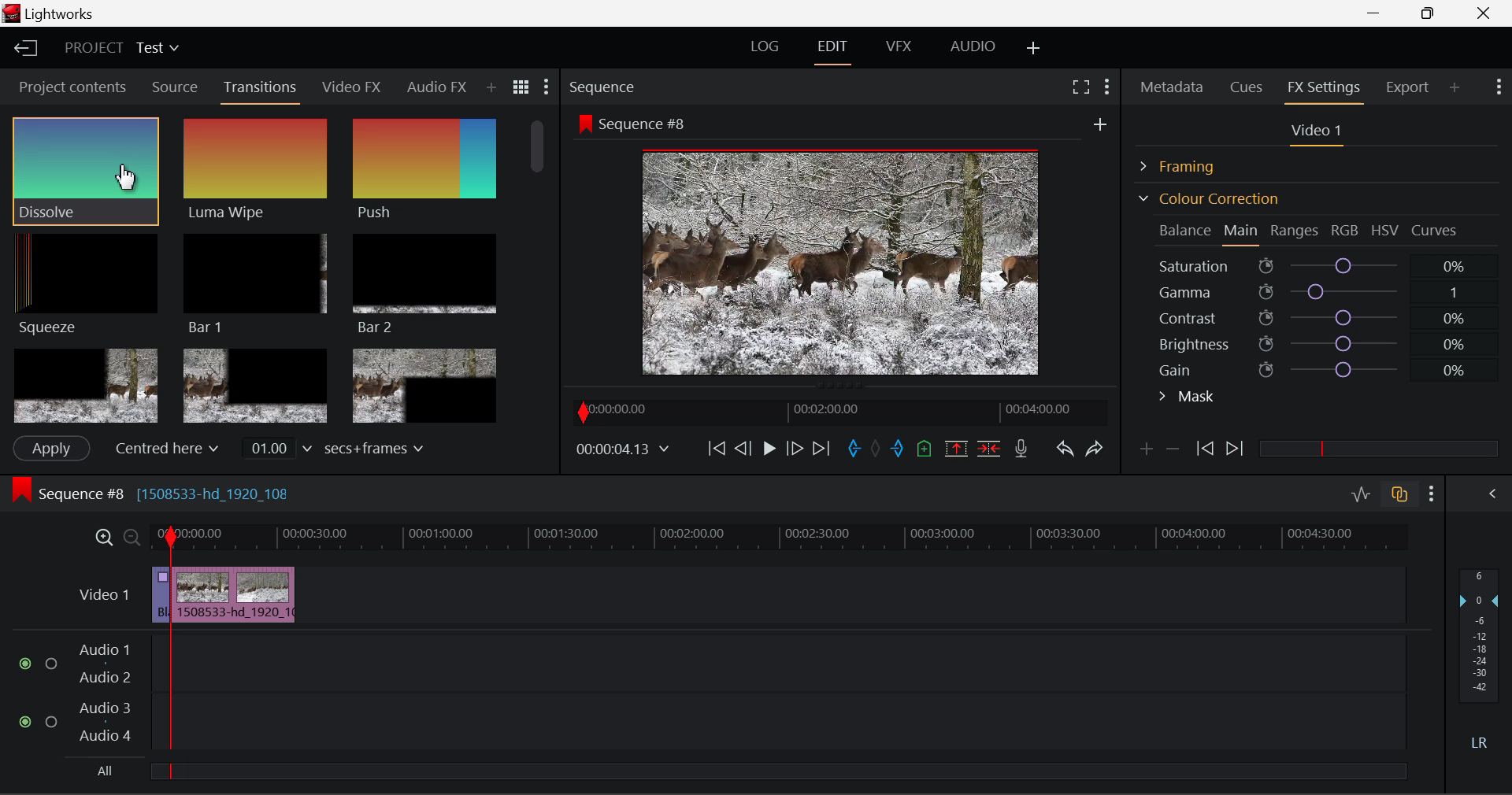 This screenshot has width=1512, height=795. I want to click on Video 1, so click(102, 593).